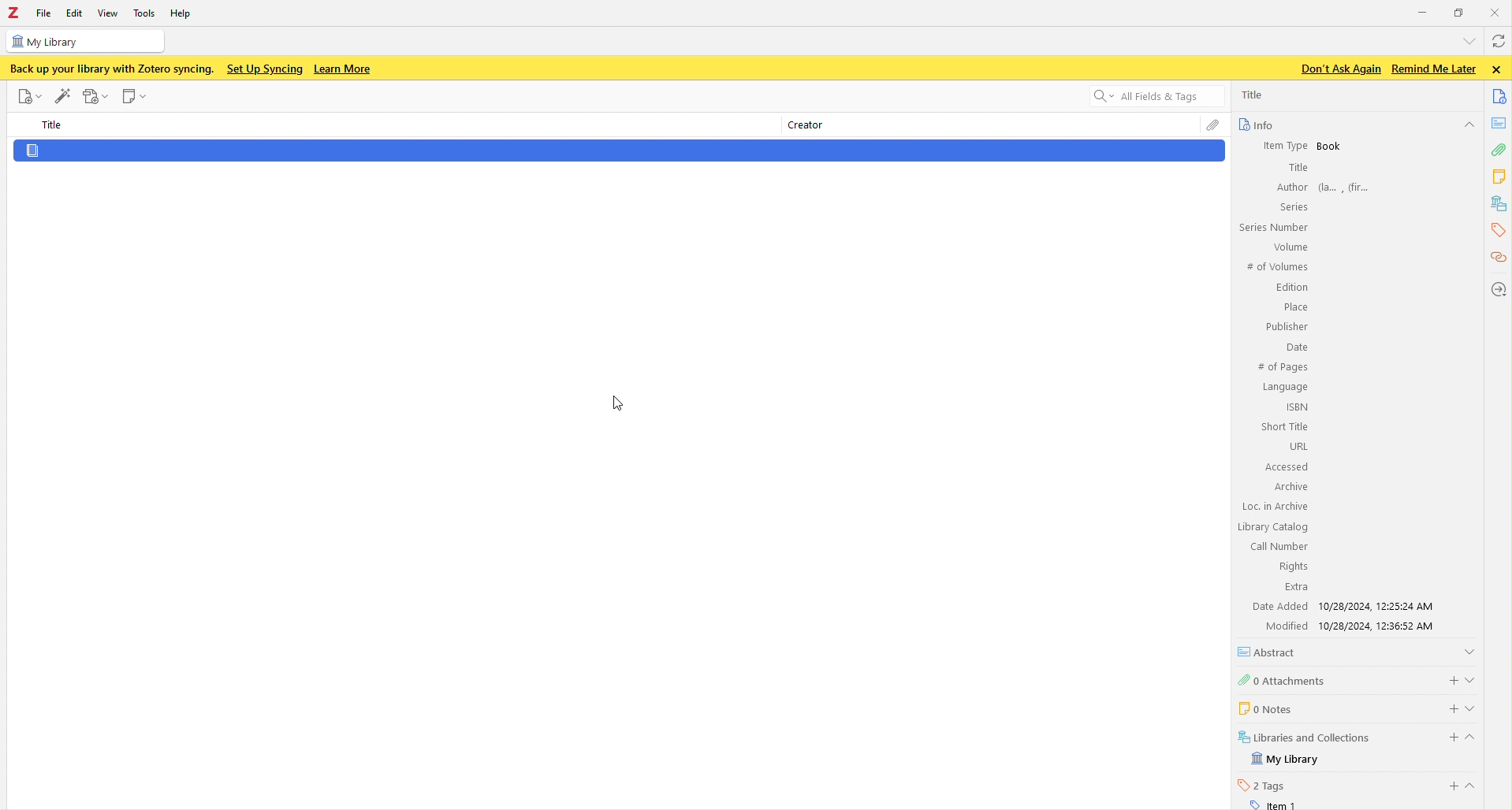 The image size is (1512, 810). I want to click on notes, so click(1500, 176).